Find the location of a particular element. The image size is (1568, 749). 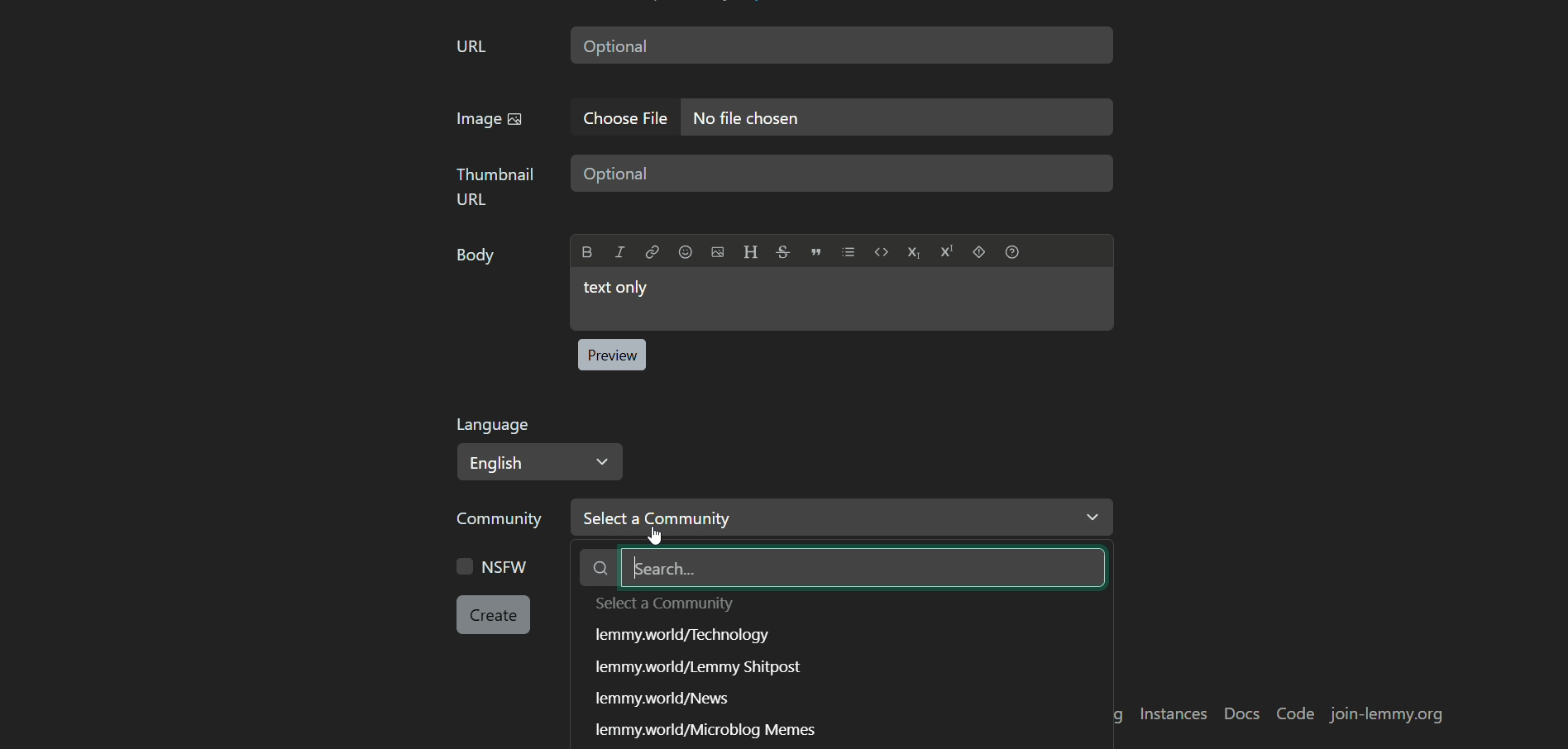

Header is located at coordinates (750, 251).